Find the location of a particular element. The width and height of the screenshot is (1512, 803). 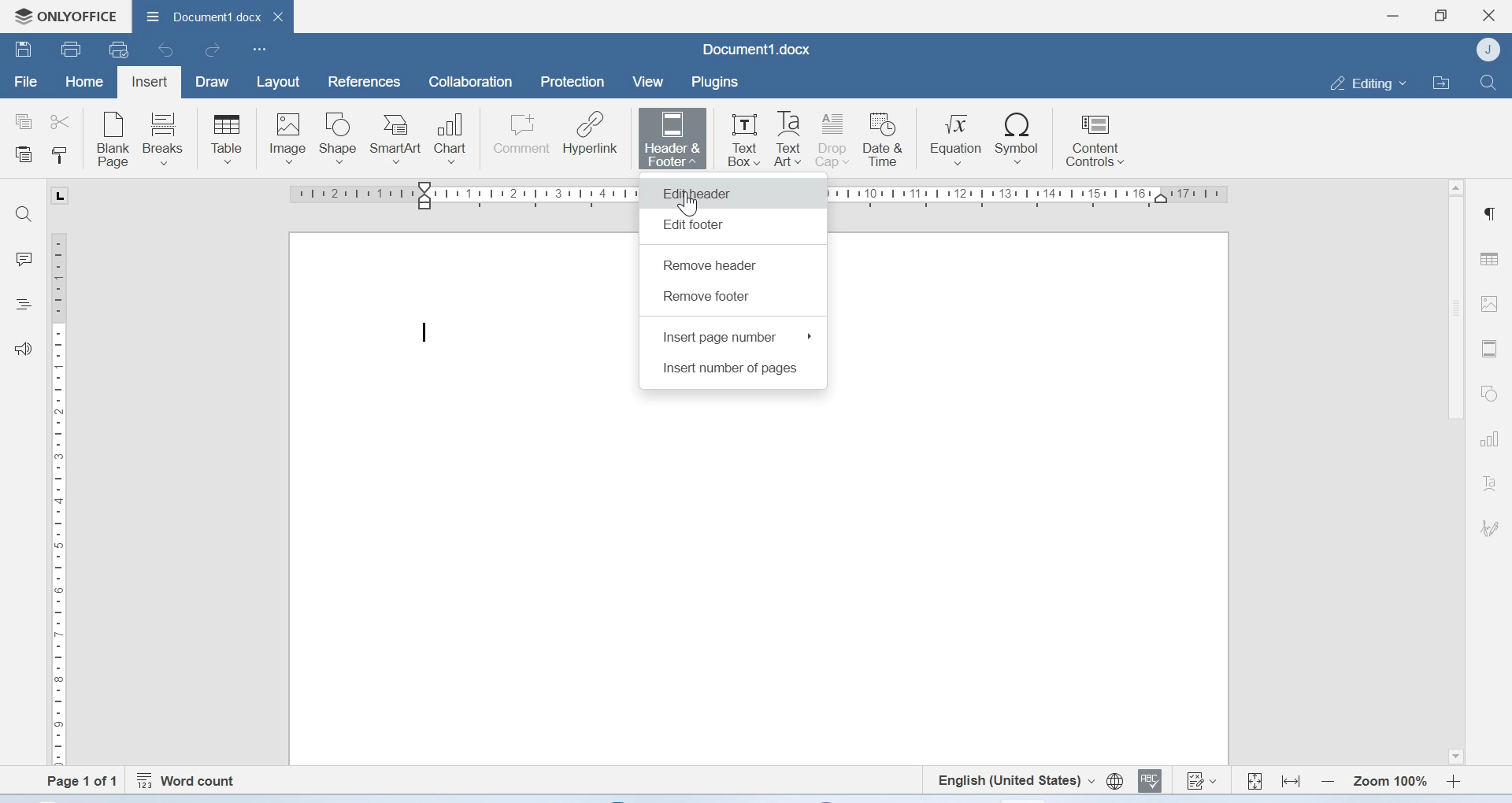

Charts is located at coordinates (1488, 440).